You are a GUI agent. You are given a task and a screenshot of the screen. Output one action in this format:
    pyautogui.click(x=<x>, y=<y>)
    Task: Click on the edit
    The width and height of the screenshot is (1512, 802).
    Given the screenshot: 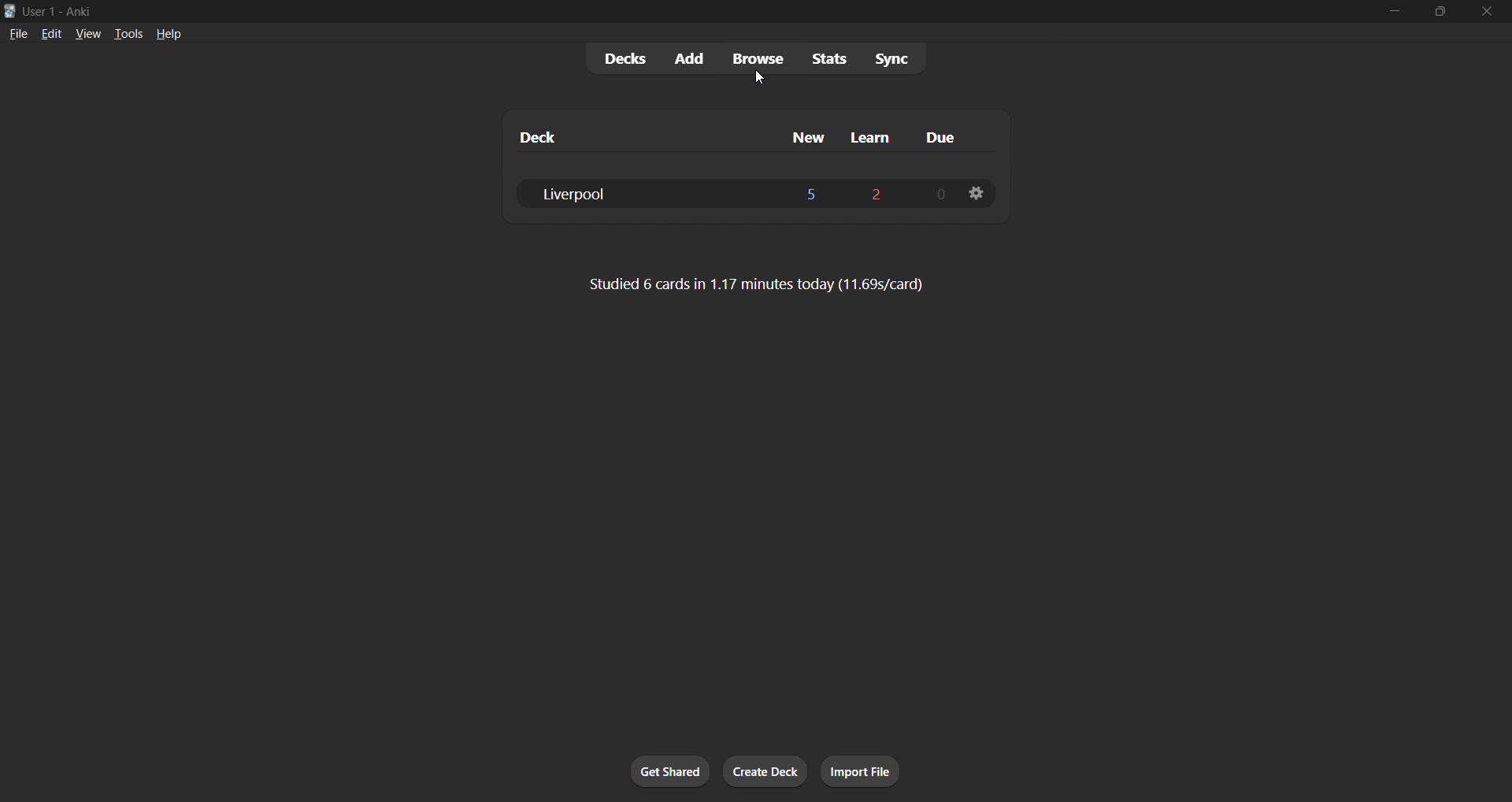 What is the action you would take?
    pyautogui.click(x=50, y=33)
    